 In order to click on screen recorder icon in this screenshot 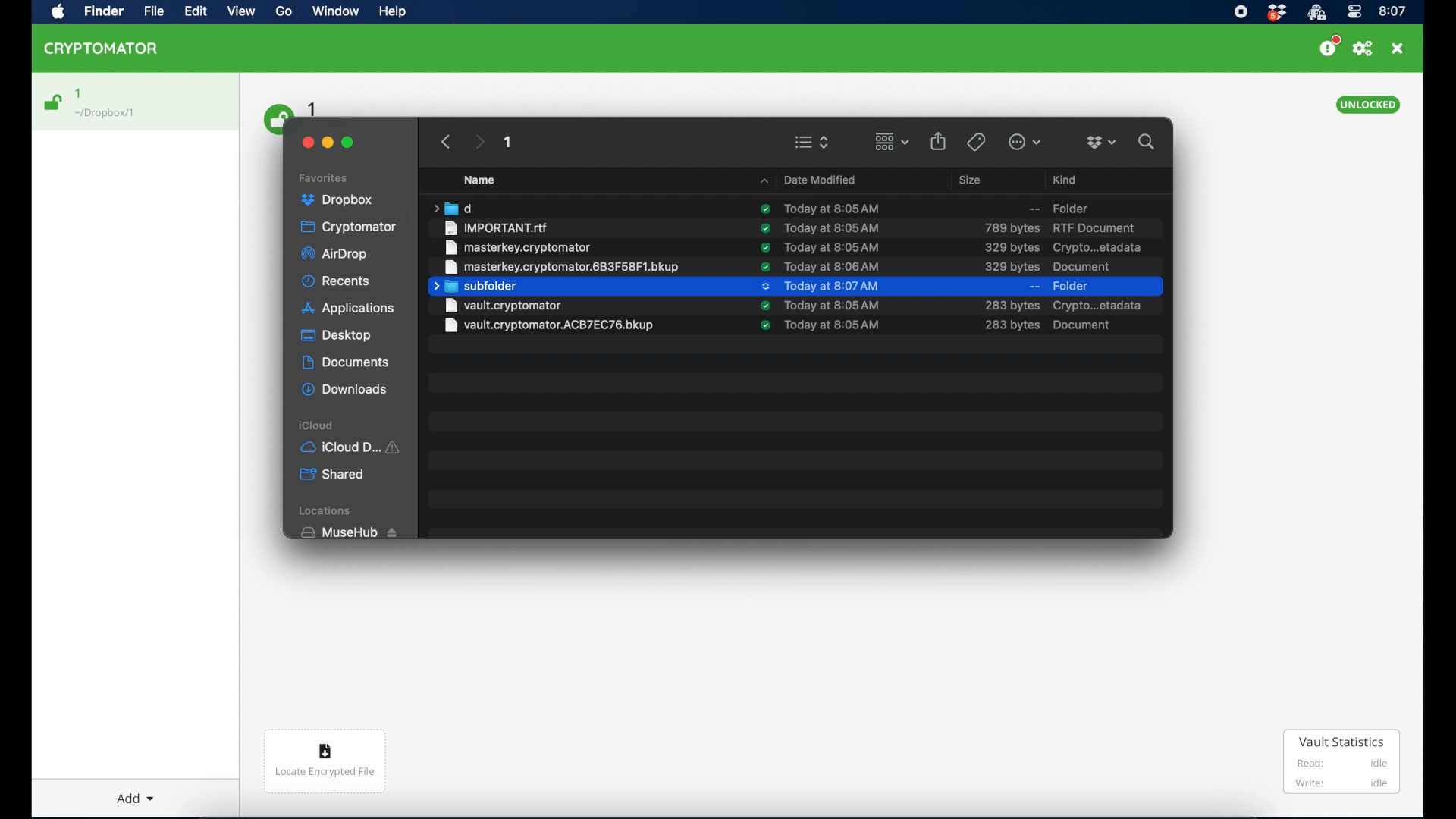, I will do `click(1241, 11)`.